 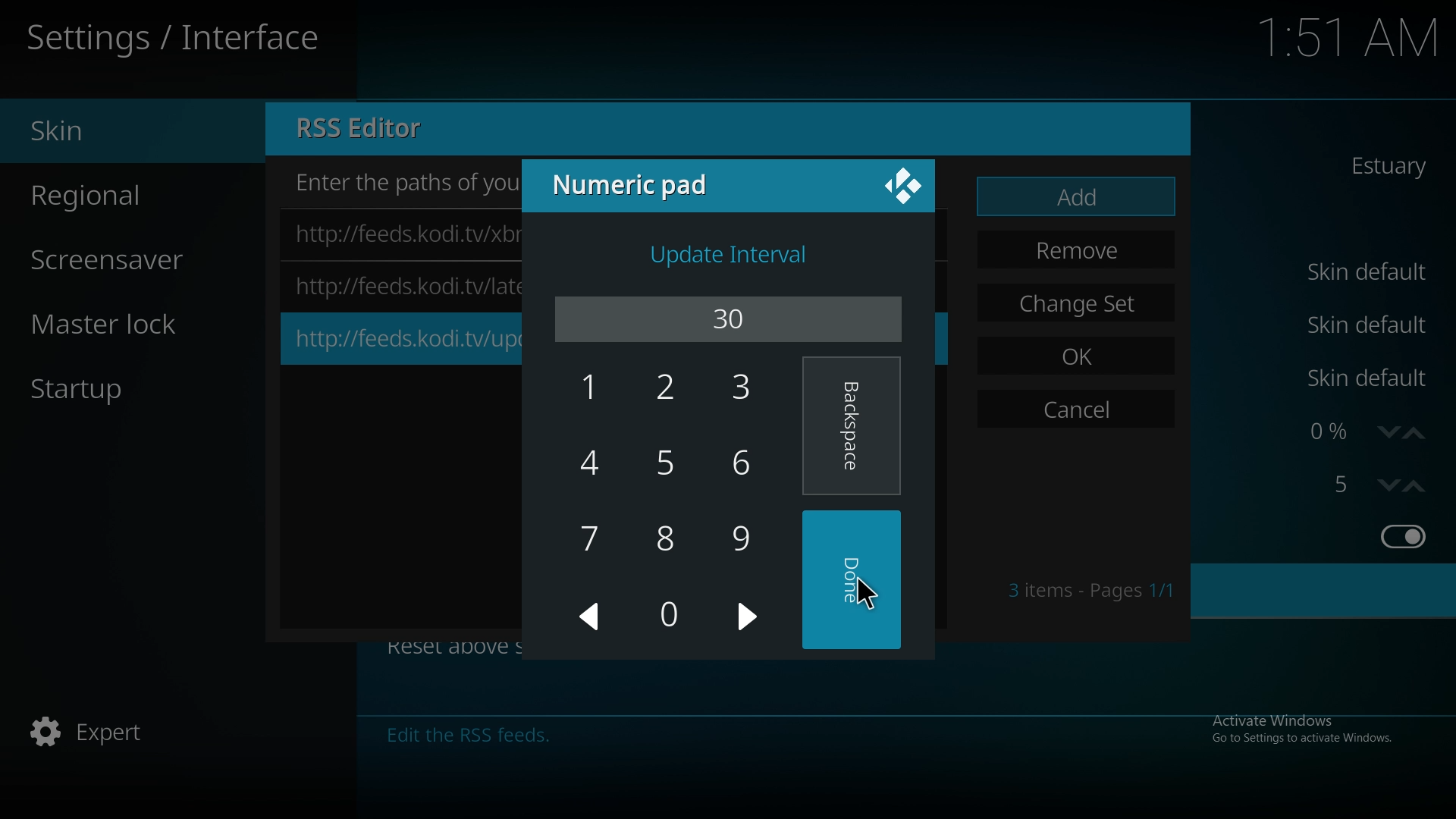 What do you see at coordinates (869, 598) in the screenshot?
I see `Cursor` at bounding box center [869, 598].